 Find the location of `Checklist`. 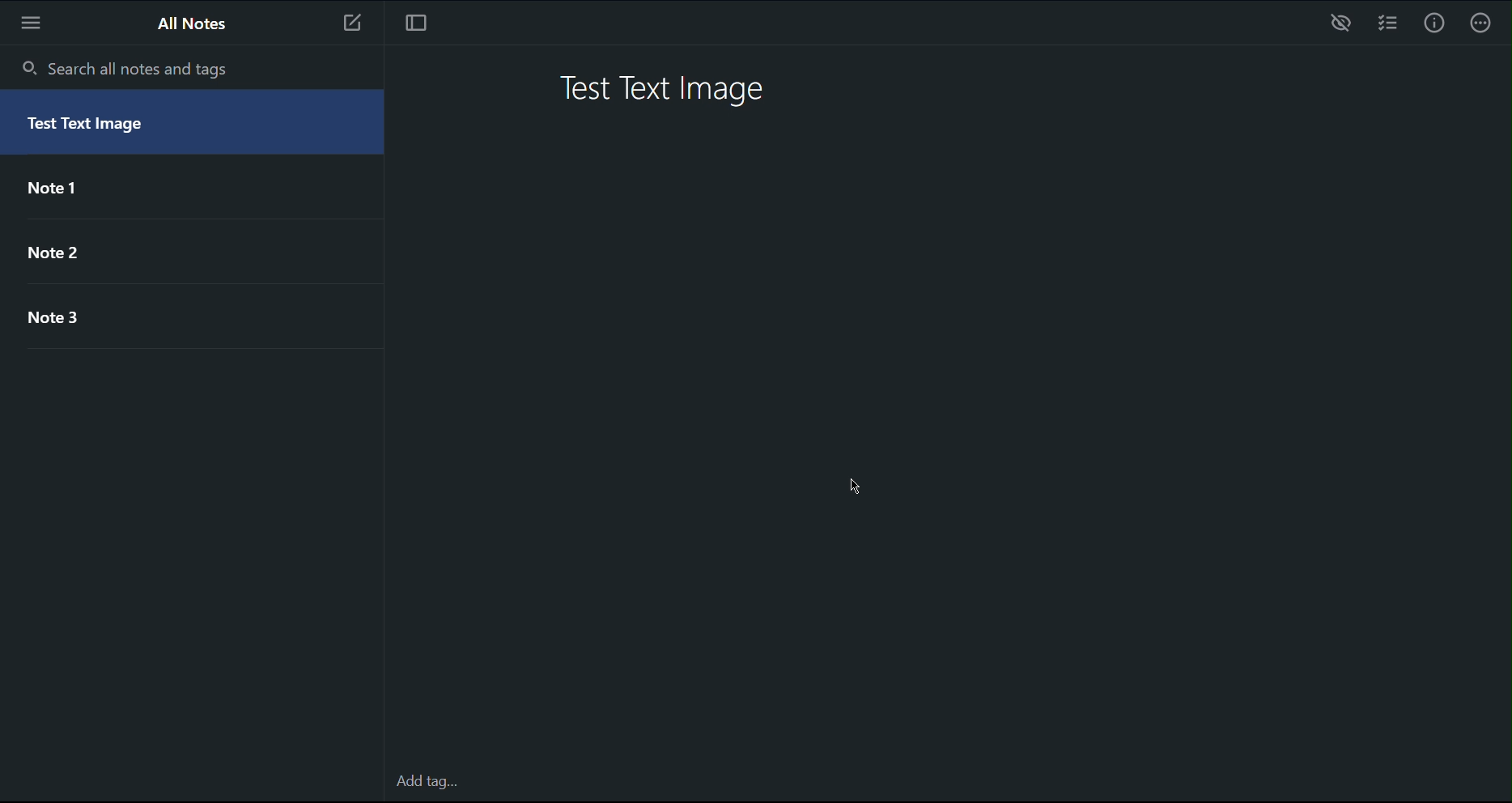

Checklist is located at coordinates (1392, 24).